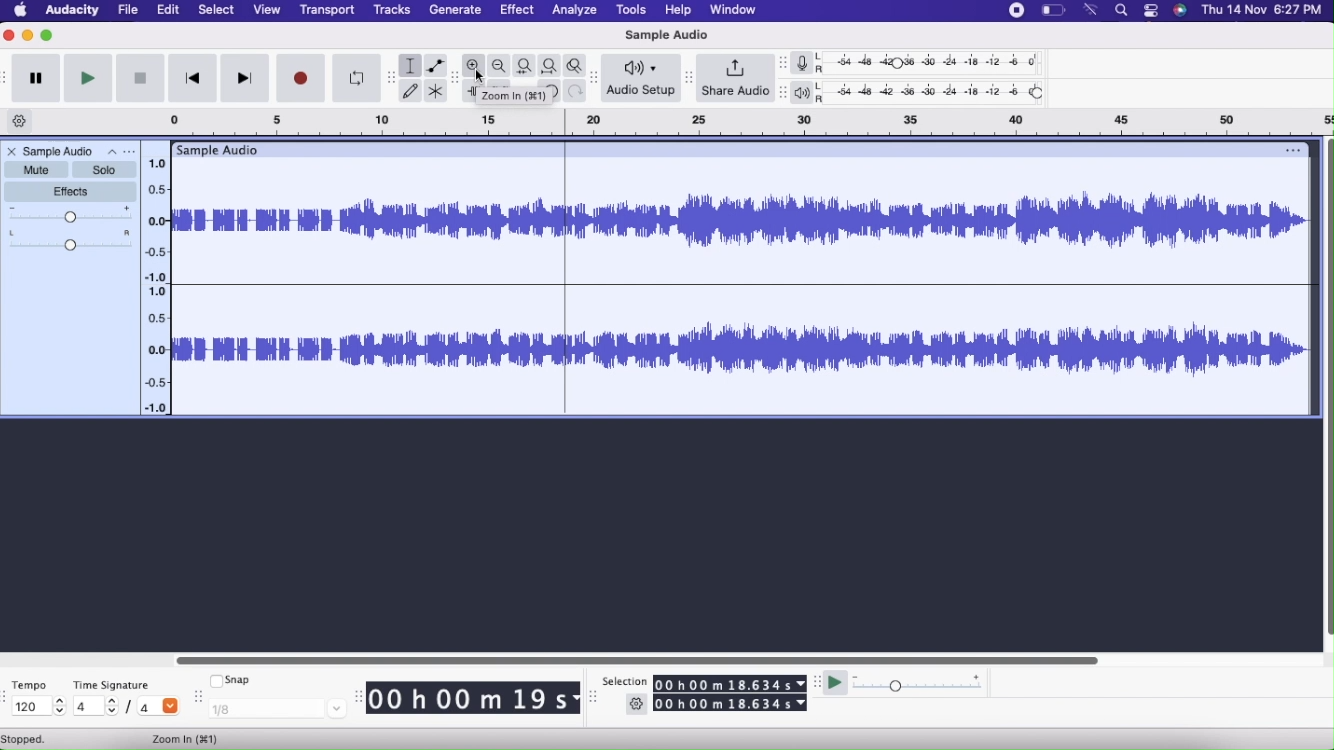 This screenshot has width=1334, height=750. I want to click on File, so click(128, 10).